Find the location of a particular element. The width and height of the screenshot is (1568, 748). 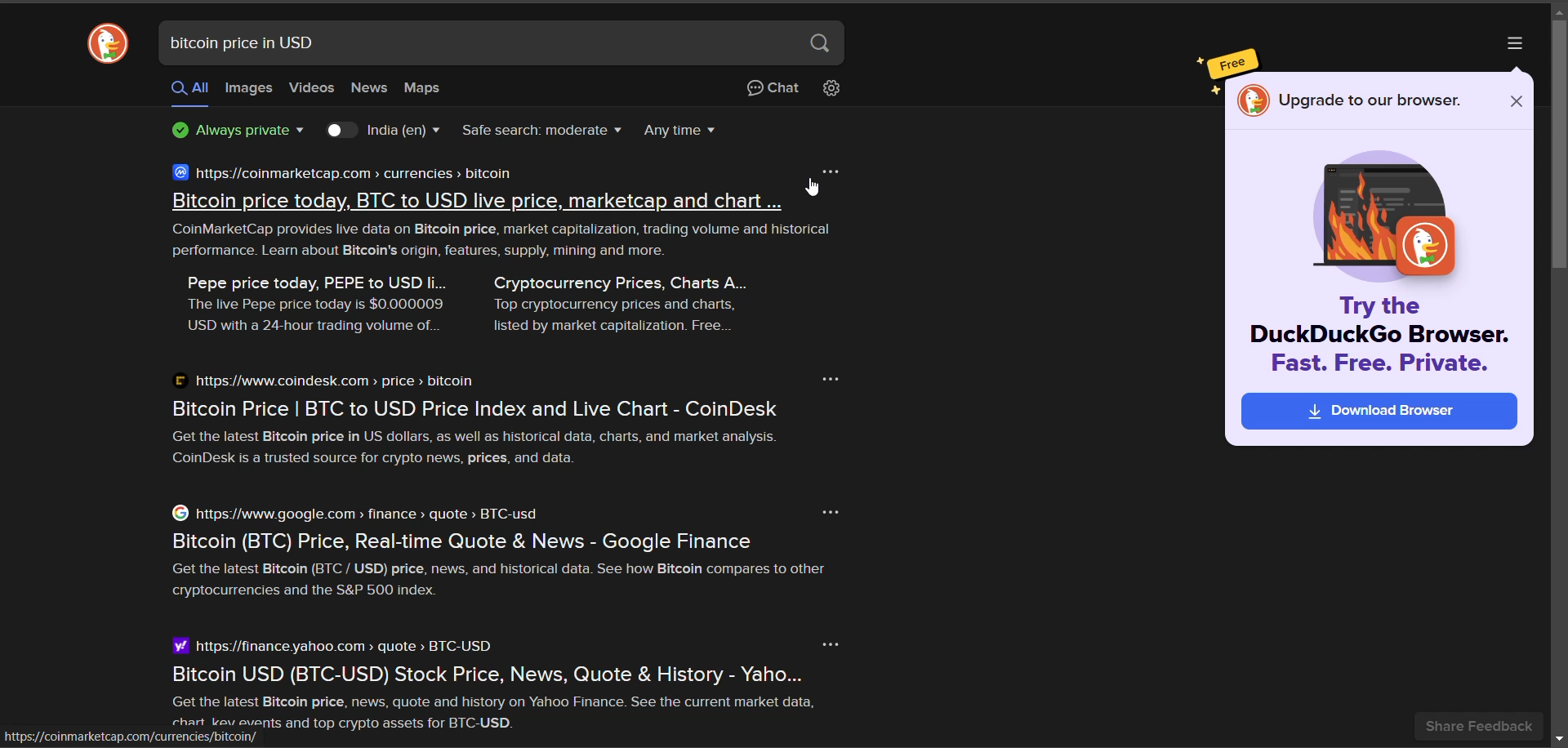

maps is located at coordinates (425, 87).